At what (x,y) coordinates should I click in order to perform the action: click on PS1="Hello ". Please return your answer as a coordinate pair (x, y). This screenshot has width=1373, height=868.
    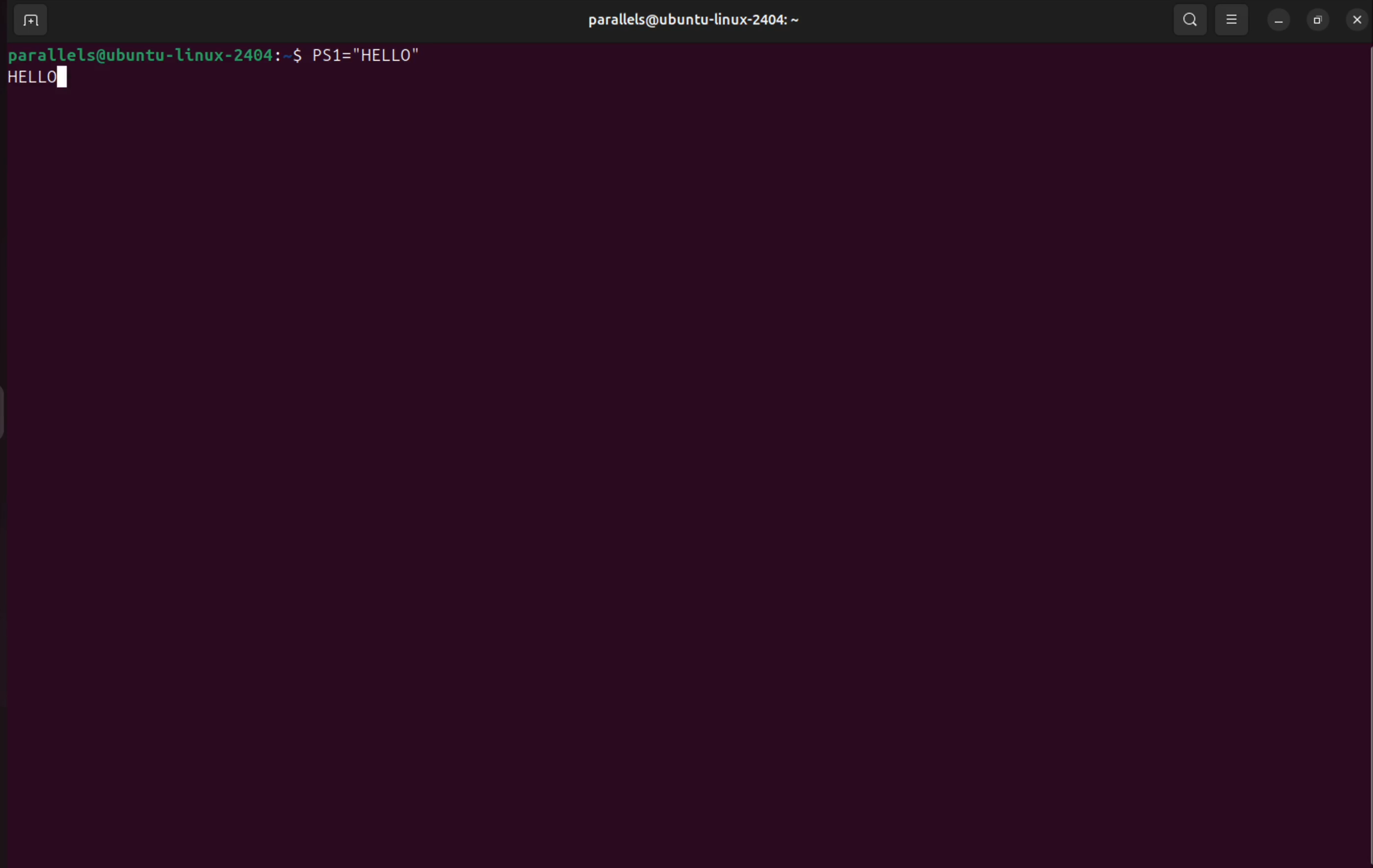
    Looking at the image, I should click on (375, 56).